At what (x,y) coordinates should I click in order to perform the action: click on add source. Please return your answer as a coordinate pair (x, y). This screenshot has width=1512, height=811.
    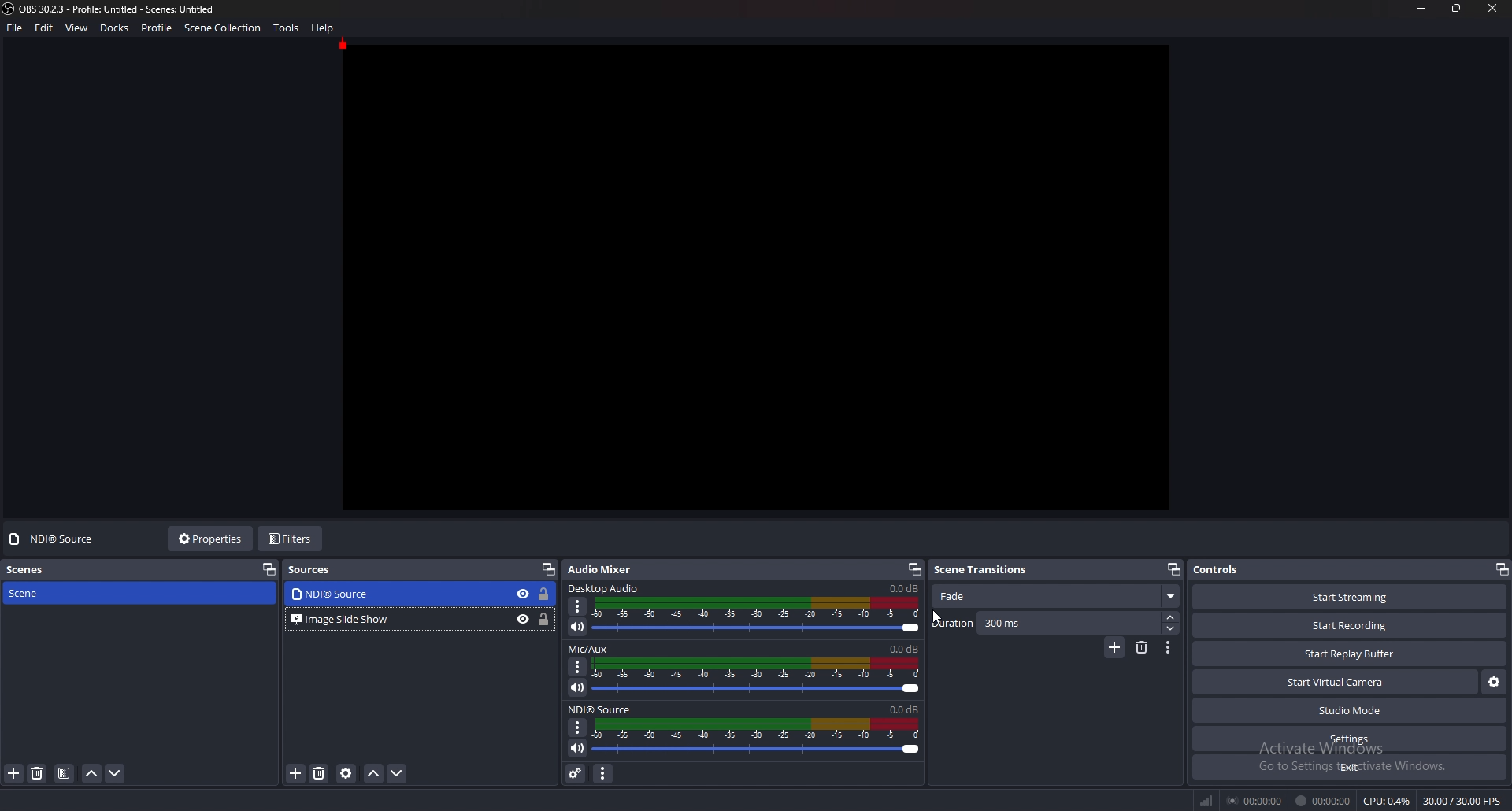
    Looking at the image, I should click on (13, 774).